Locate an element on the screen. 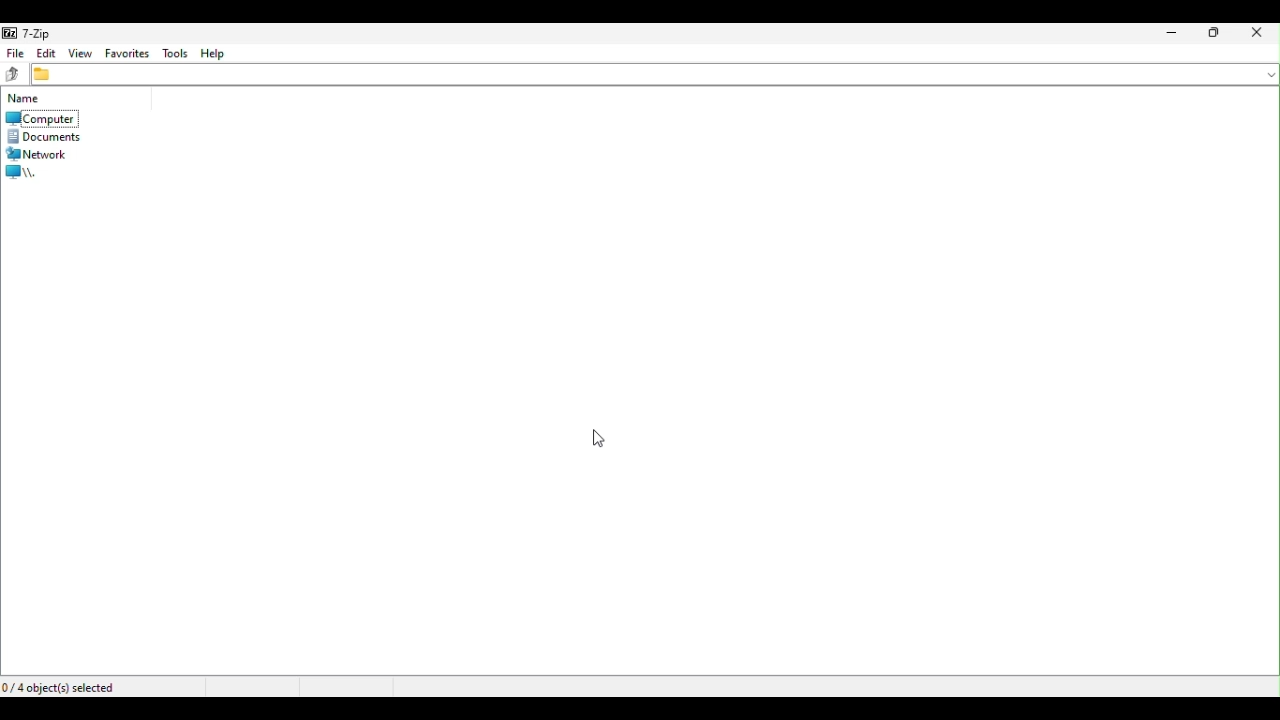 The height and width of the screenshot is (720, 1280). Tools is located at coordinates (176, 53).